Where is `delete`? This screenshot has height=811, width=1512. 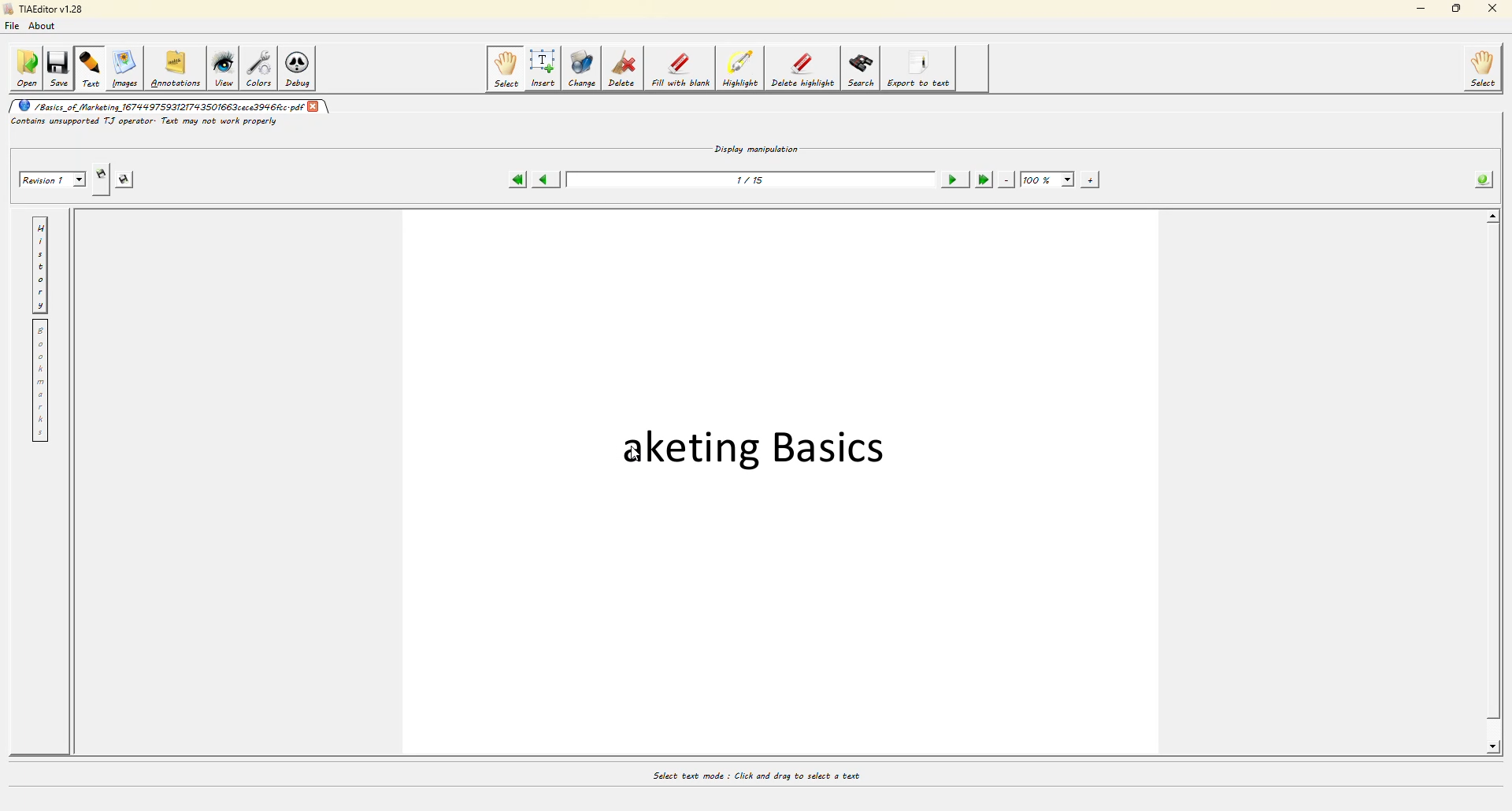 delete is located at coordinates (621, 69).